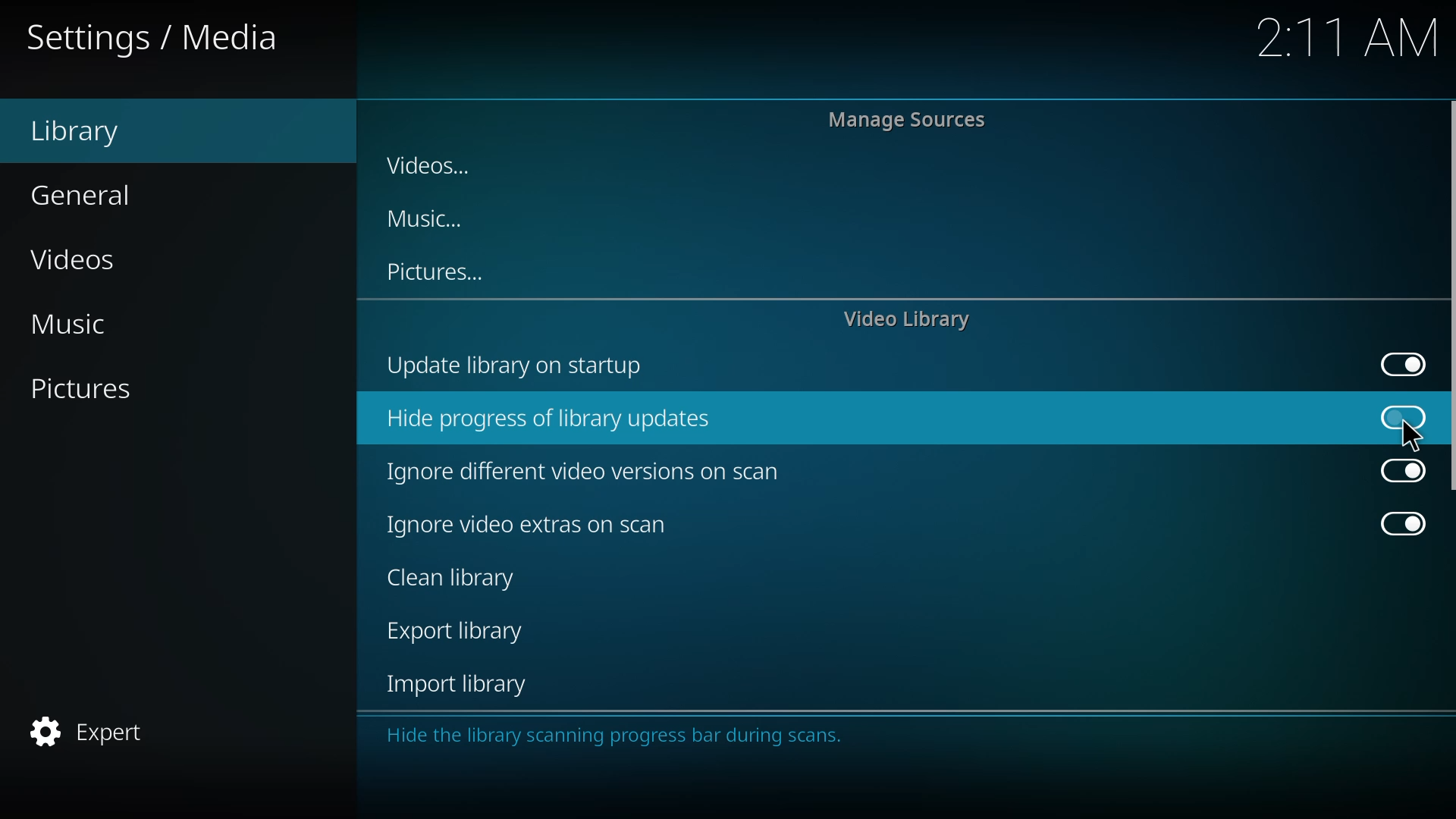  Describe the element at coordinates (619, 733) in the screenshot. I see `info` at that location.